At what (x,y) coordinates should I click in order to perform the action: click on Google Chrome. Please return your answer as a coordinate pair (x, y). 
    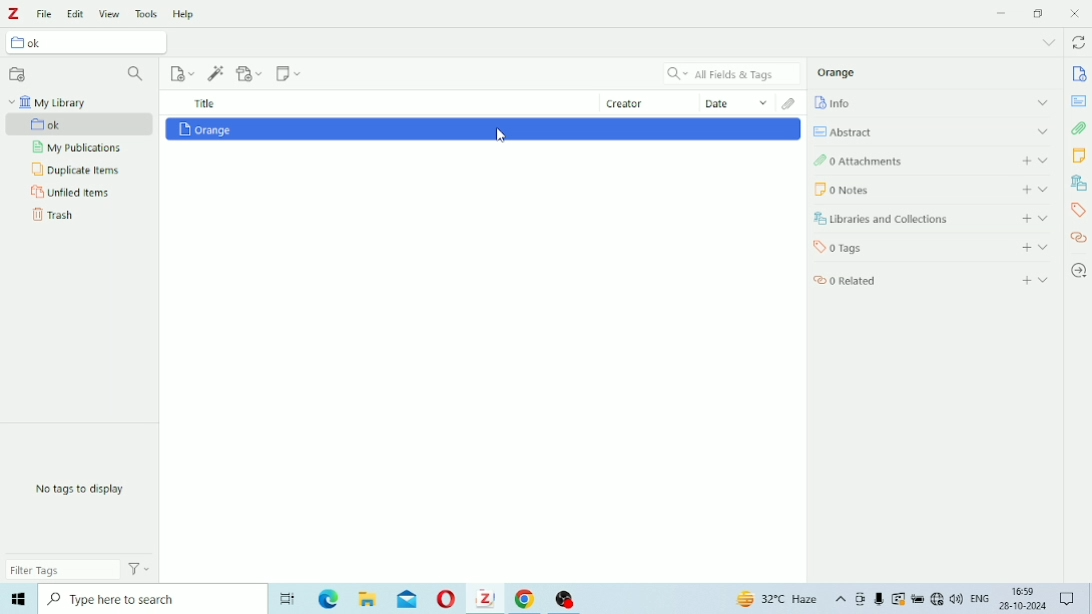
    Looking at the image, I should click on (528, 599).